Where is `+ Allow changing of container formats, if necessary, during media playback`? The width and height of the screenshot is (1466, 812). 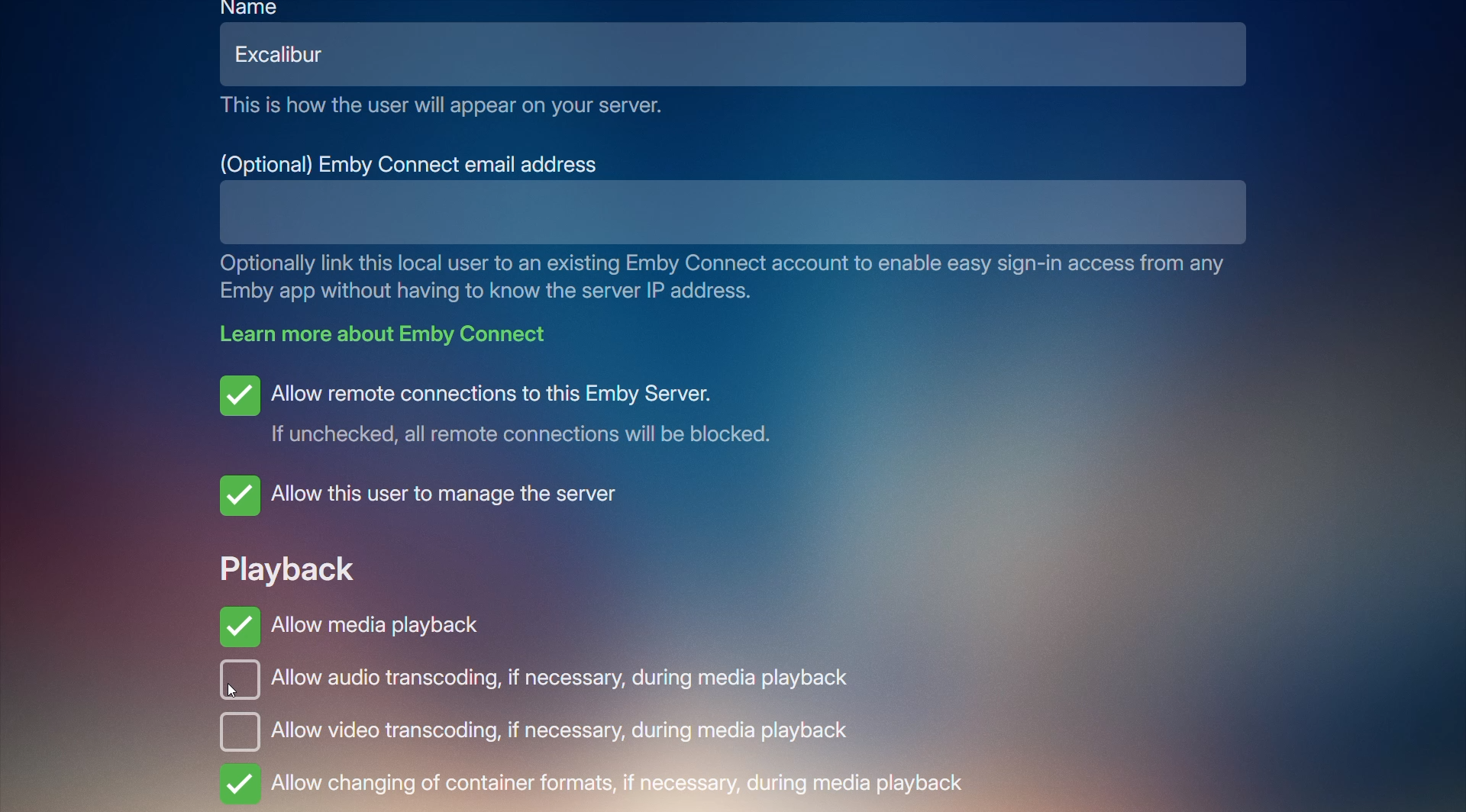 + Allow changing of container formats, if necessary, during media playback is located at coordinates (597, 785).